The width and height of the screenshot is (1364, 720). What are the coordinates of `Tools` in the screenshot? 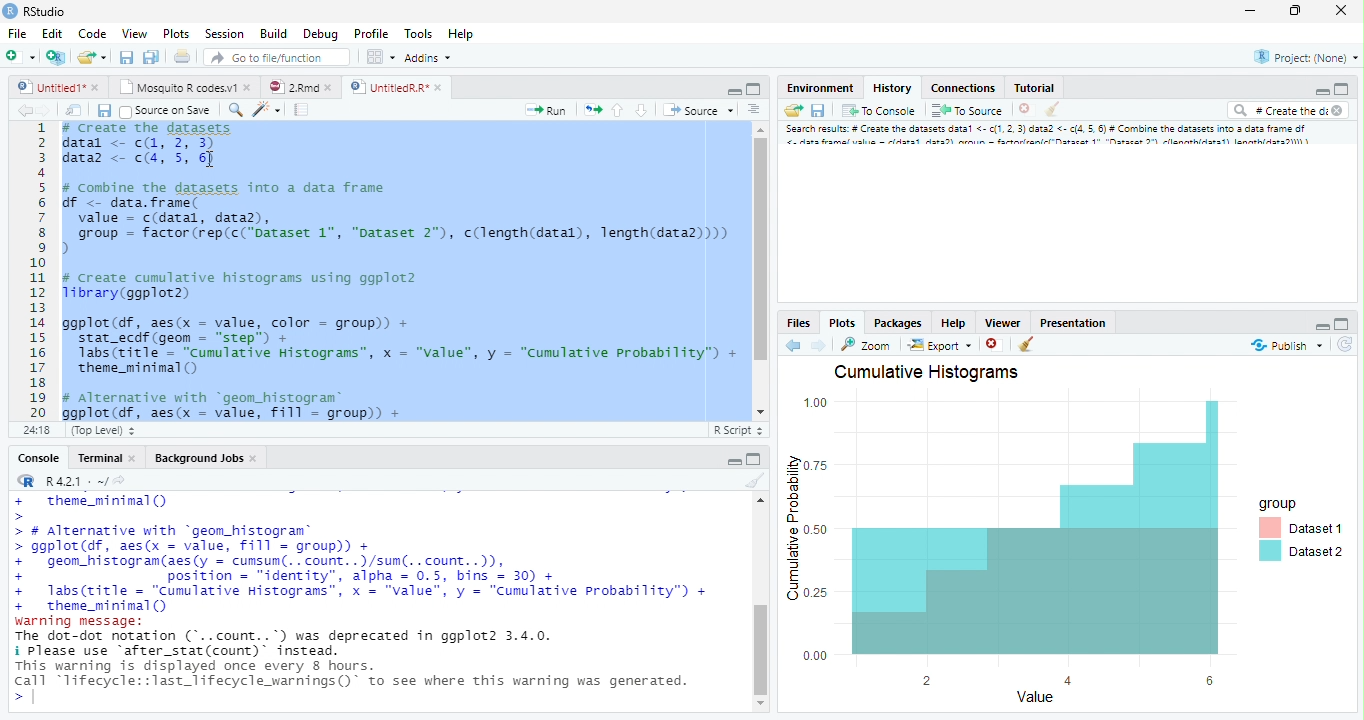 It's located at (420, 35).